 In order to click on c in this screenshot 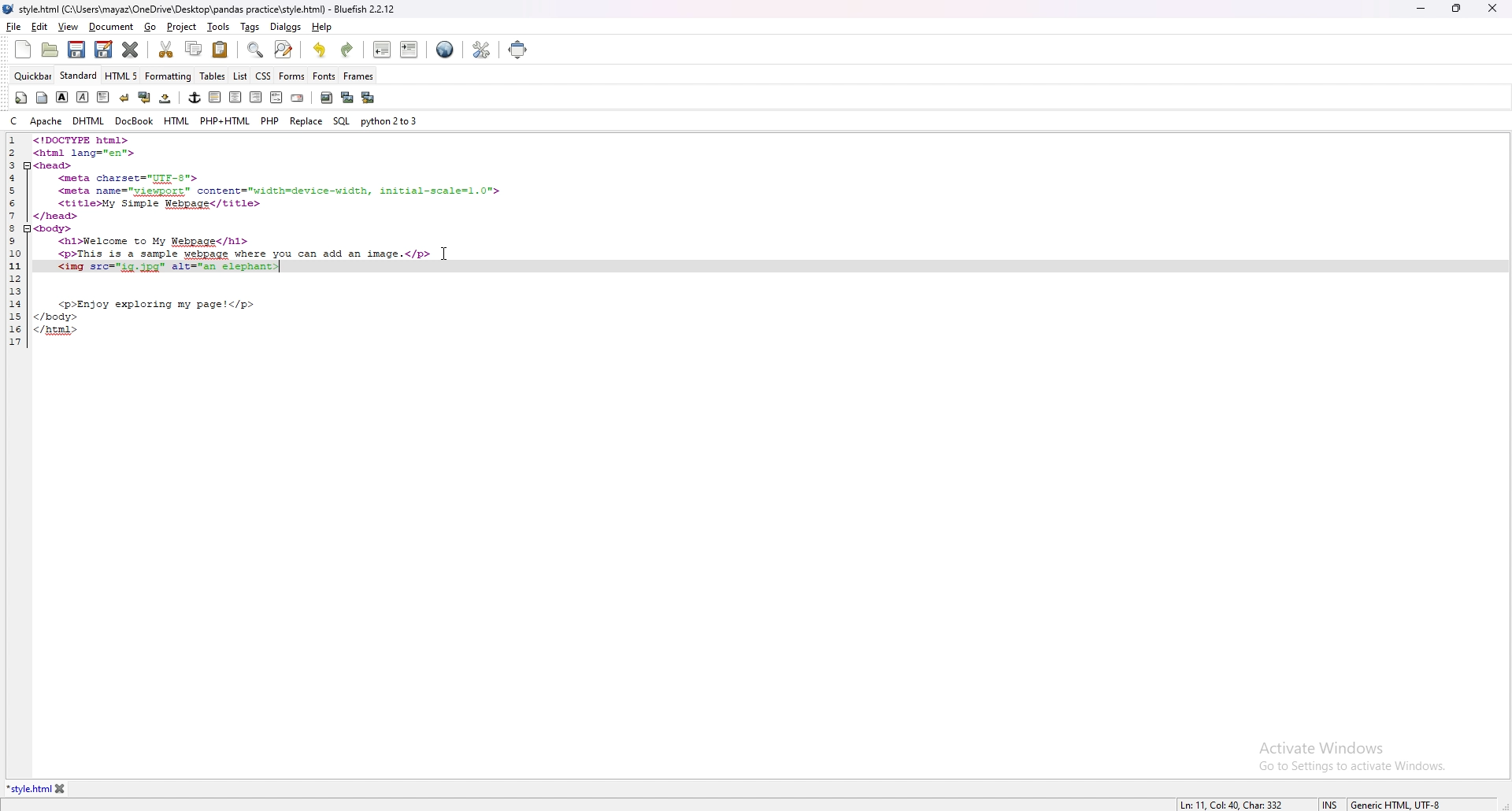, I will do `click(16, 120)`.